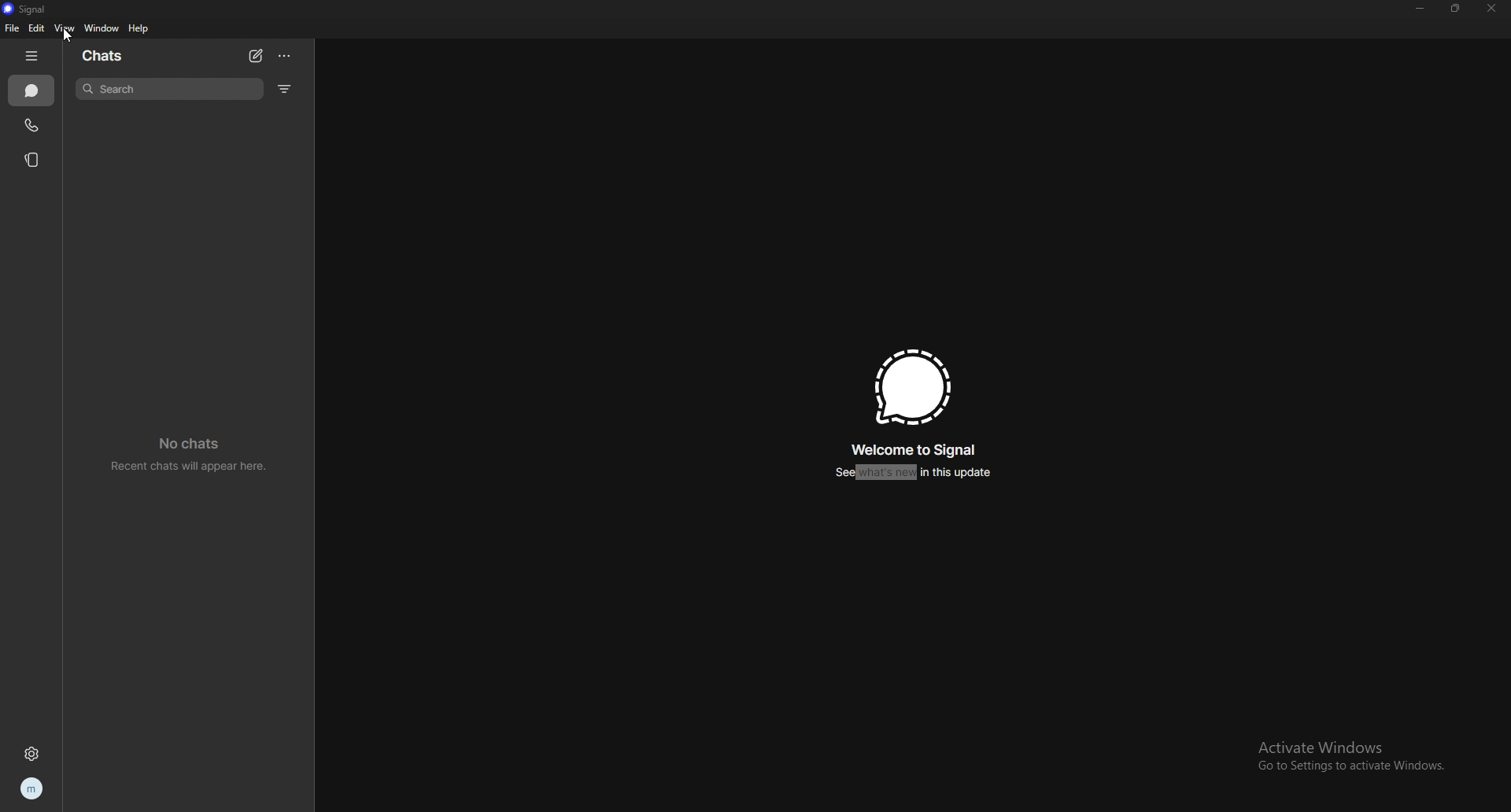 The image size is (1511, 812). Describe the element at coordinates (1421, 8) in the screenshot. I see `minimize` at that location.